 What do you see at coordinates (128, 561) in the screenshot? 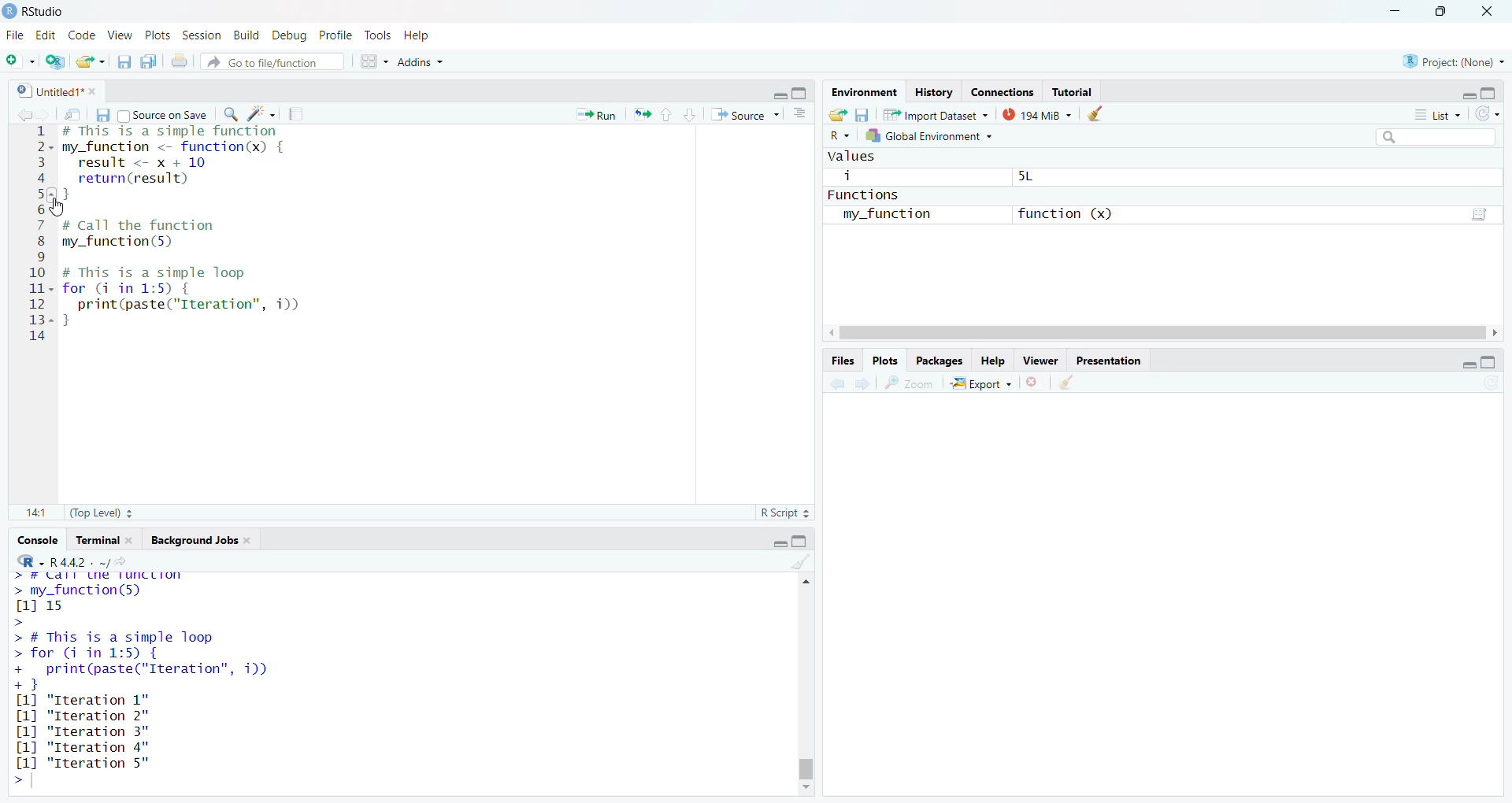
I see `view the current working directory` at bounding box center [128, 561].